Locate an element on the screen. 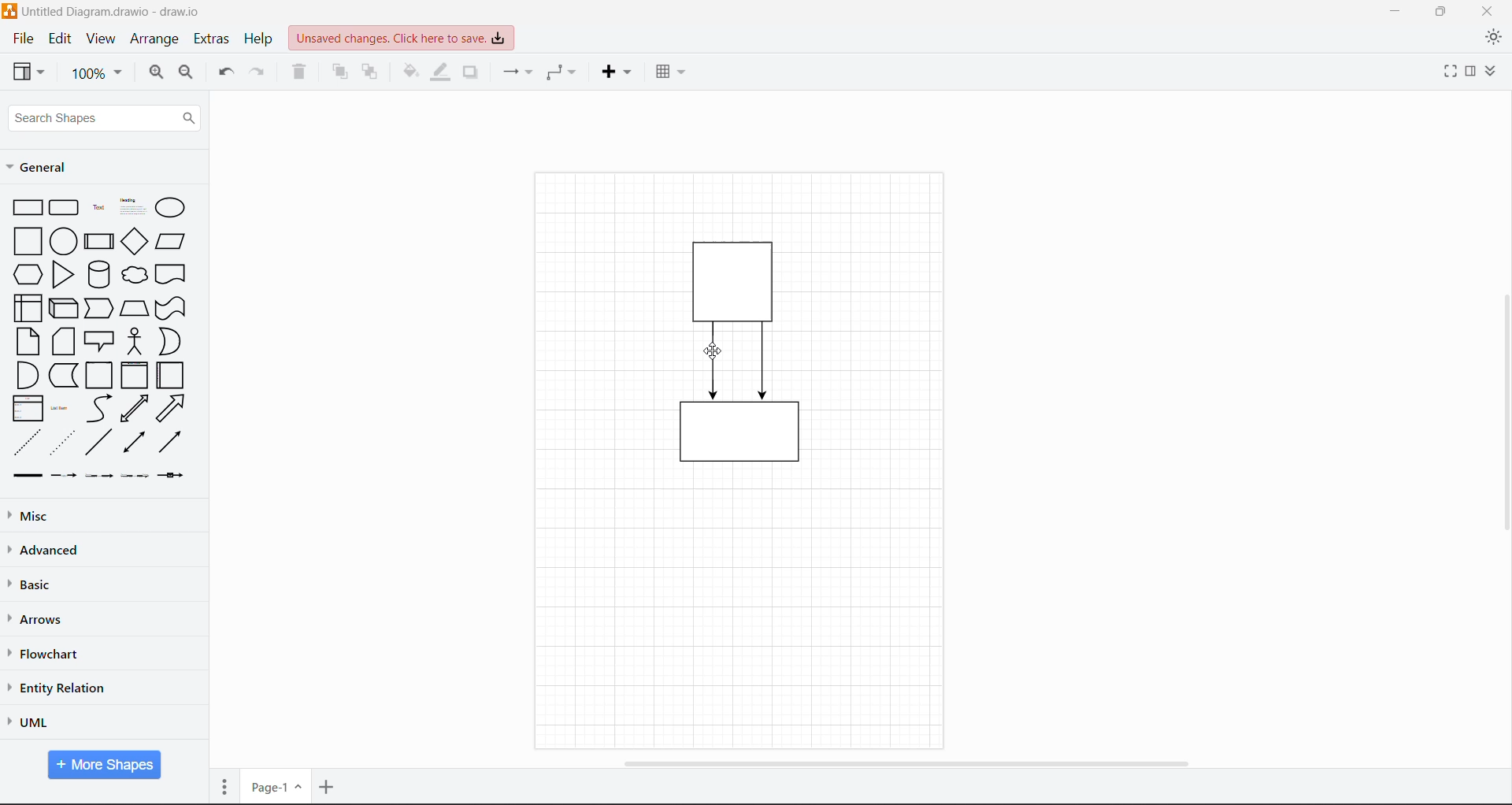  Insert is located at coordinates (616, 72).